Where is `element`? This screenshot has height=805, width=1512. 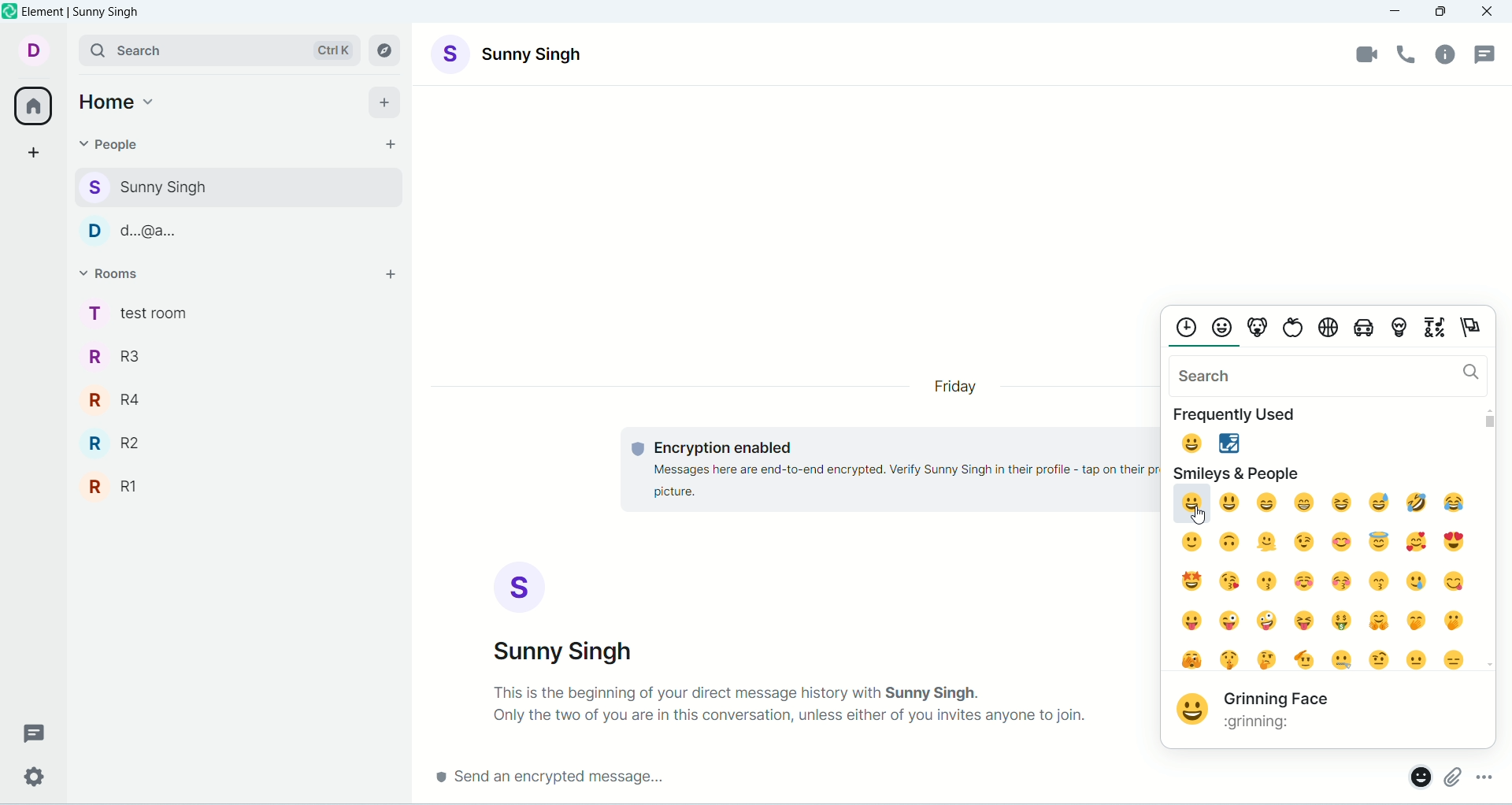
element is located at coordinates (83, 11).